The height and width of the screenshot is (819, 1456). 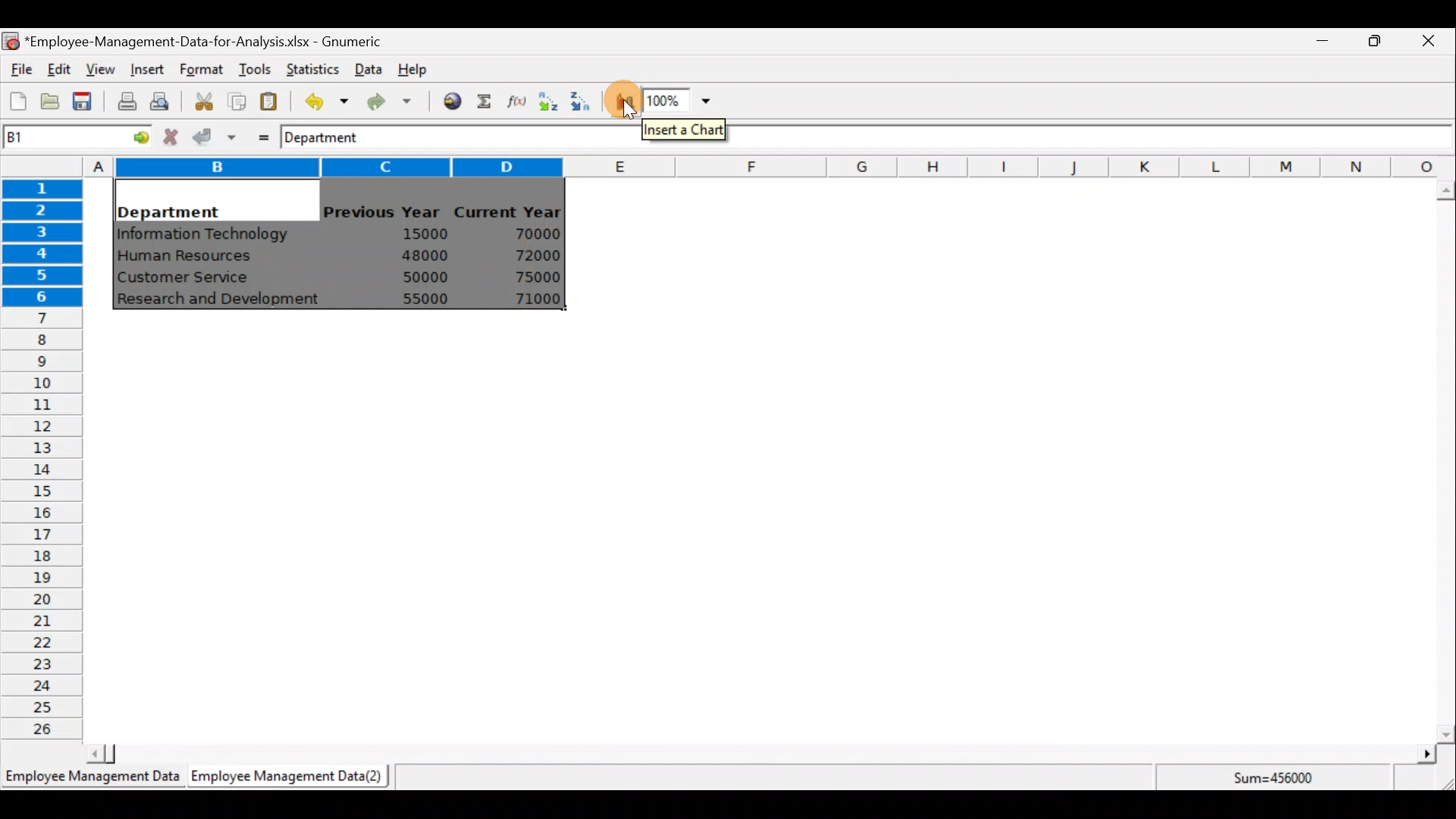 I want to click on Scroll bar, so click(x=1445, y=462).